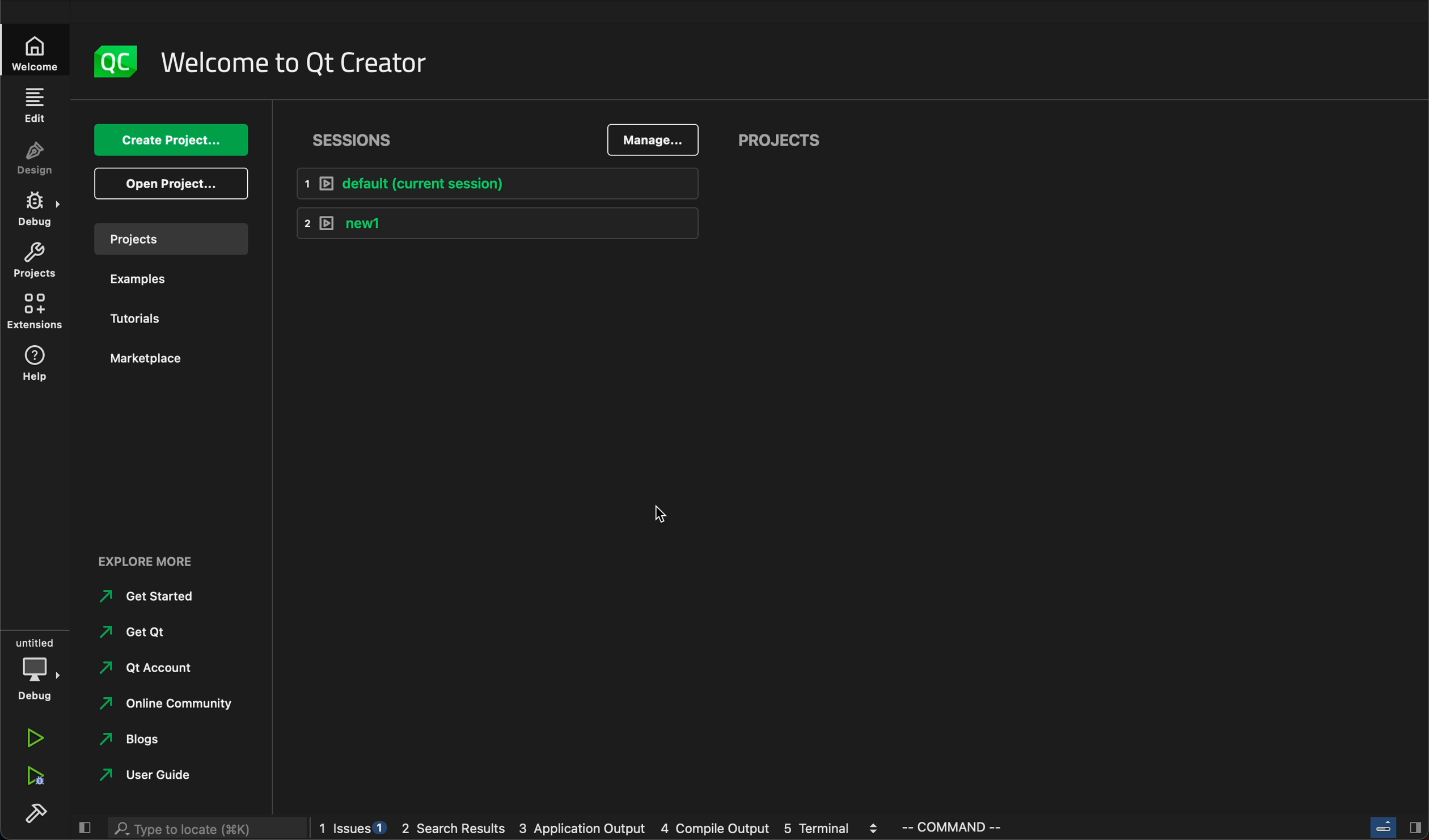 This screenshot has height=840, width=1429. Describe the element at coordinates (149, 279) in the screenshot. I see `examples` at that location.